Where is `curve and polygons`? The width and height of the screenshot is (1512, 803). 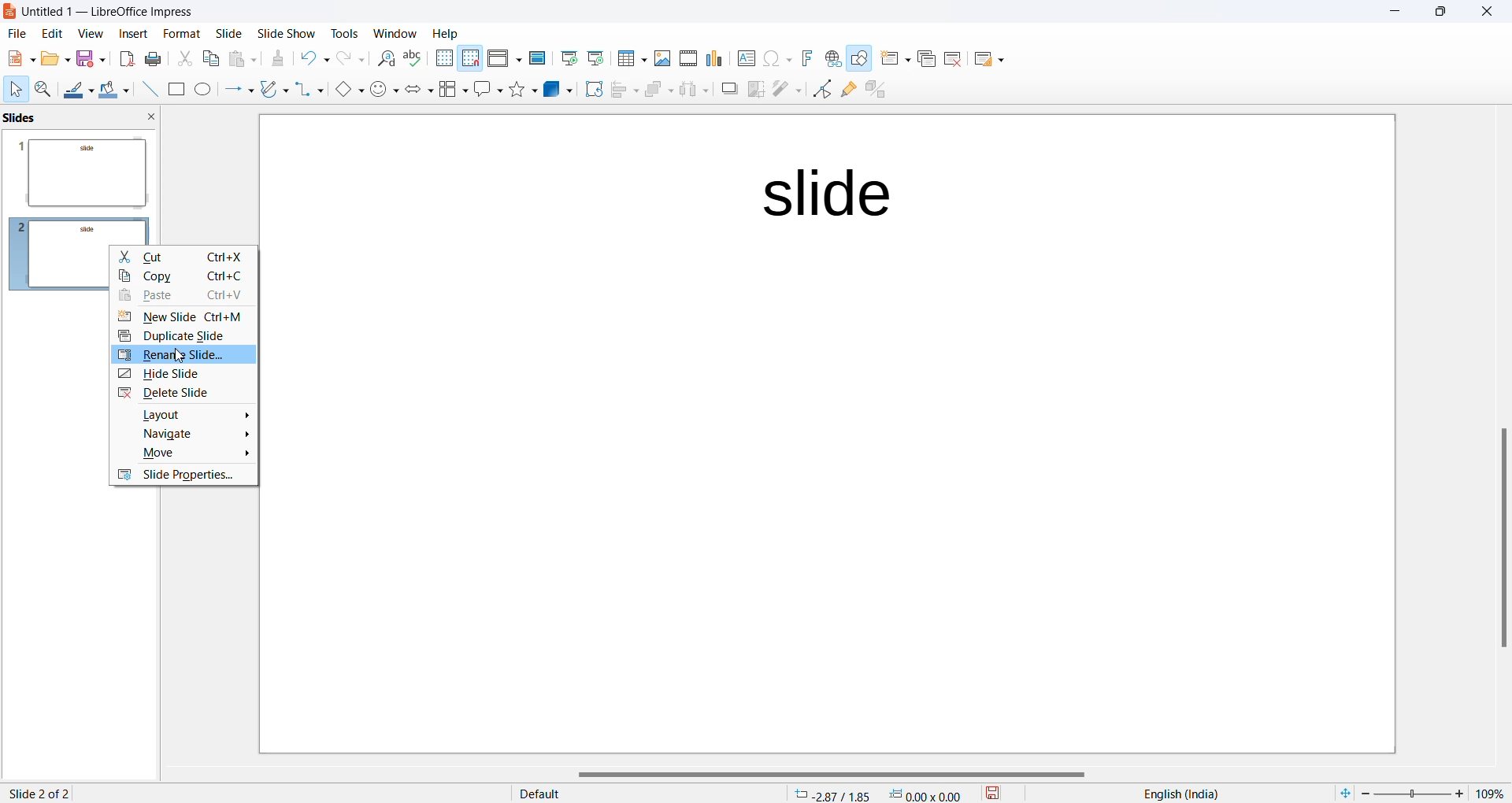
curve and polygons is located at coordinates (272, 90).